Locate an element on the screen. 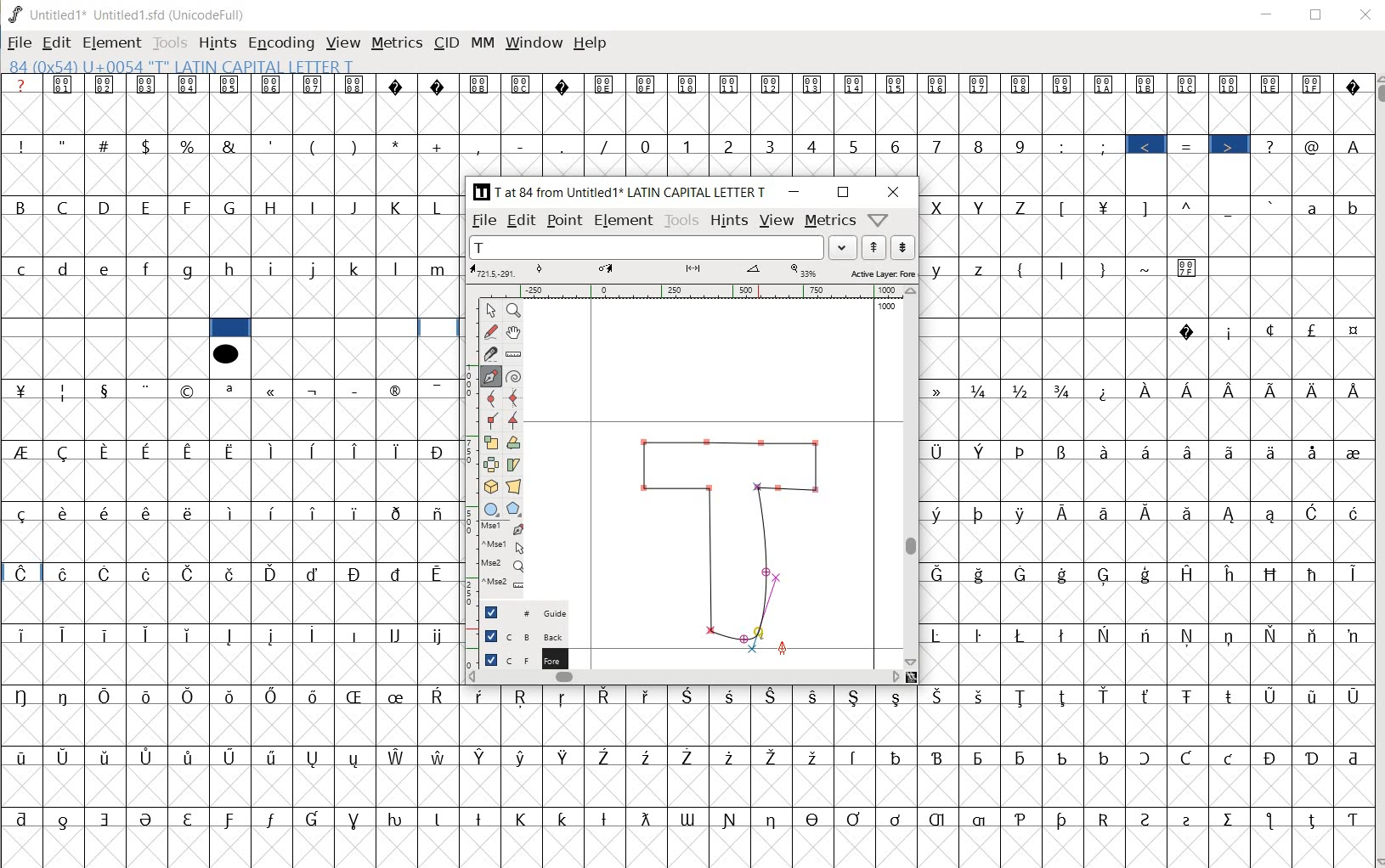 The height and width of the screenshot is (868, 1385). G is located at coordinates (230, 208).